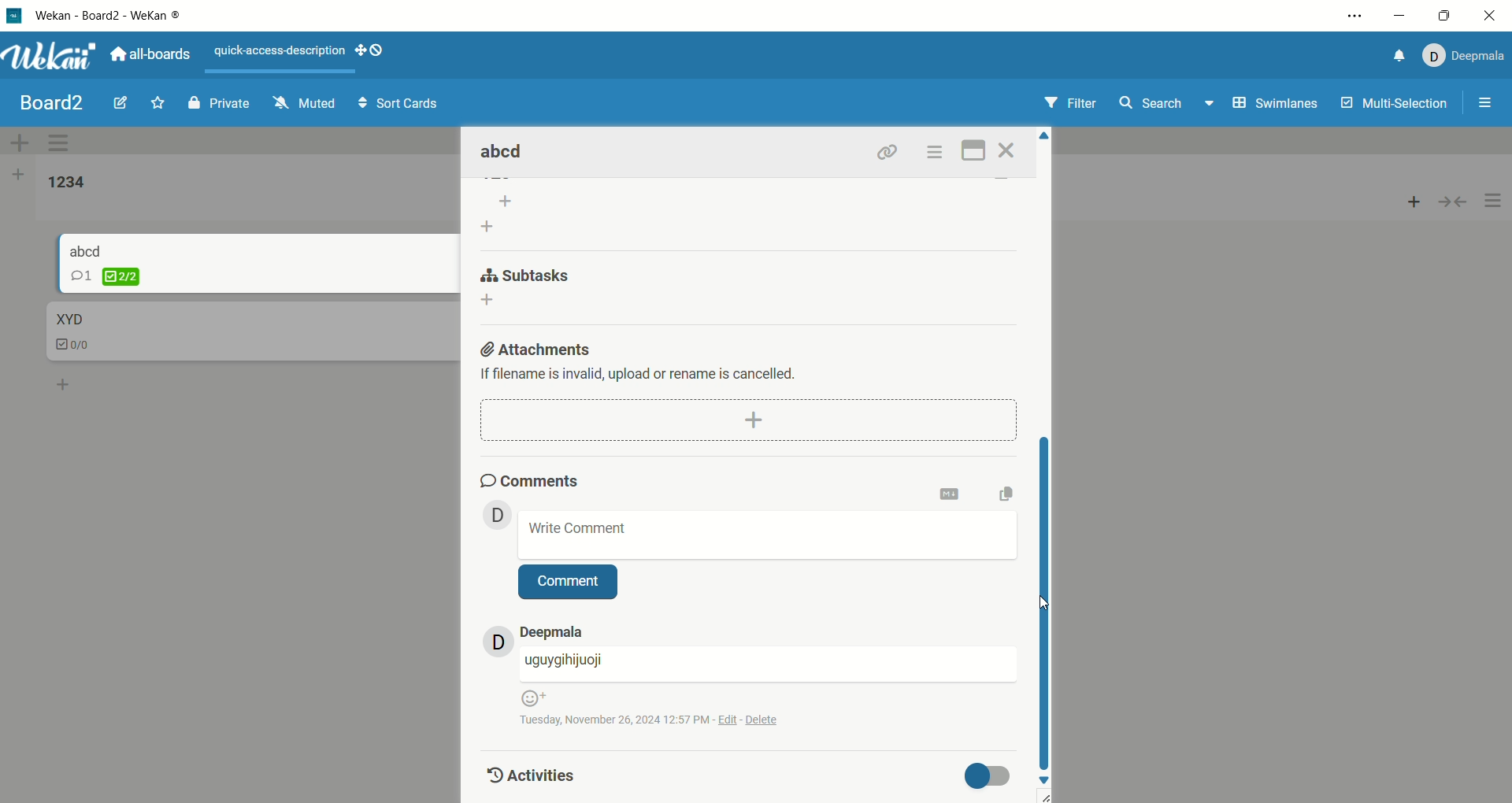  Describe the element at coordinates (1461, 56) in the screenshot. I see `account` at that location.